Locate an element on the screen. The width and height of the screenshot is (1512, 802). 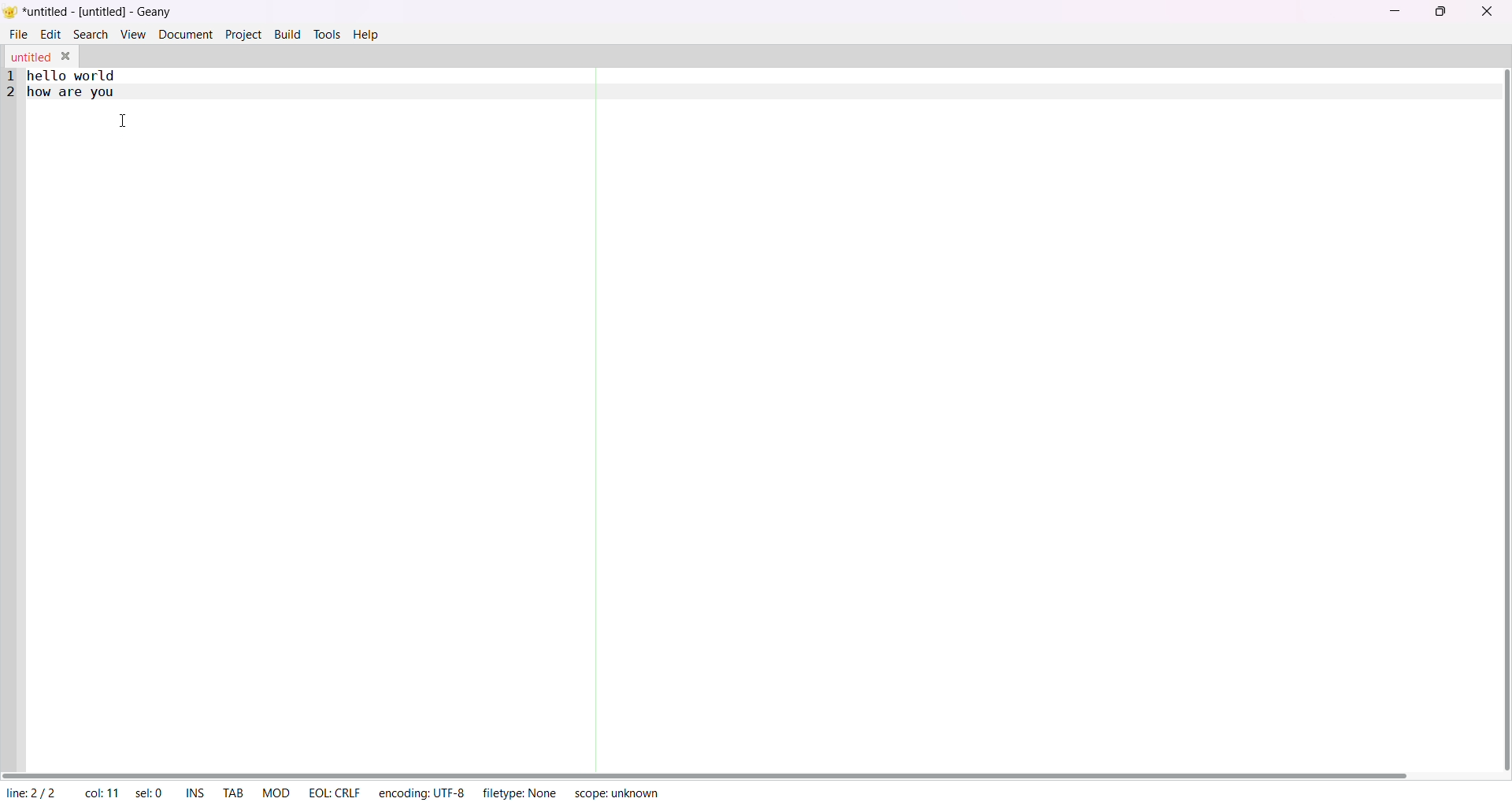
tab name is located at coordinates (30, 56).